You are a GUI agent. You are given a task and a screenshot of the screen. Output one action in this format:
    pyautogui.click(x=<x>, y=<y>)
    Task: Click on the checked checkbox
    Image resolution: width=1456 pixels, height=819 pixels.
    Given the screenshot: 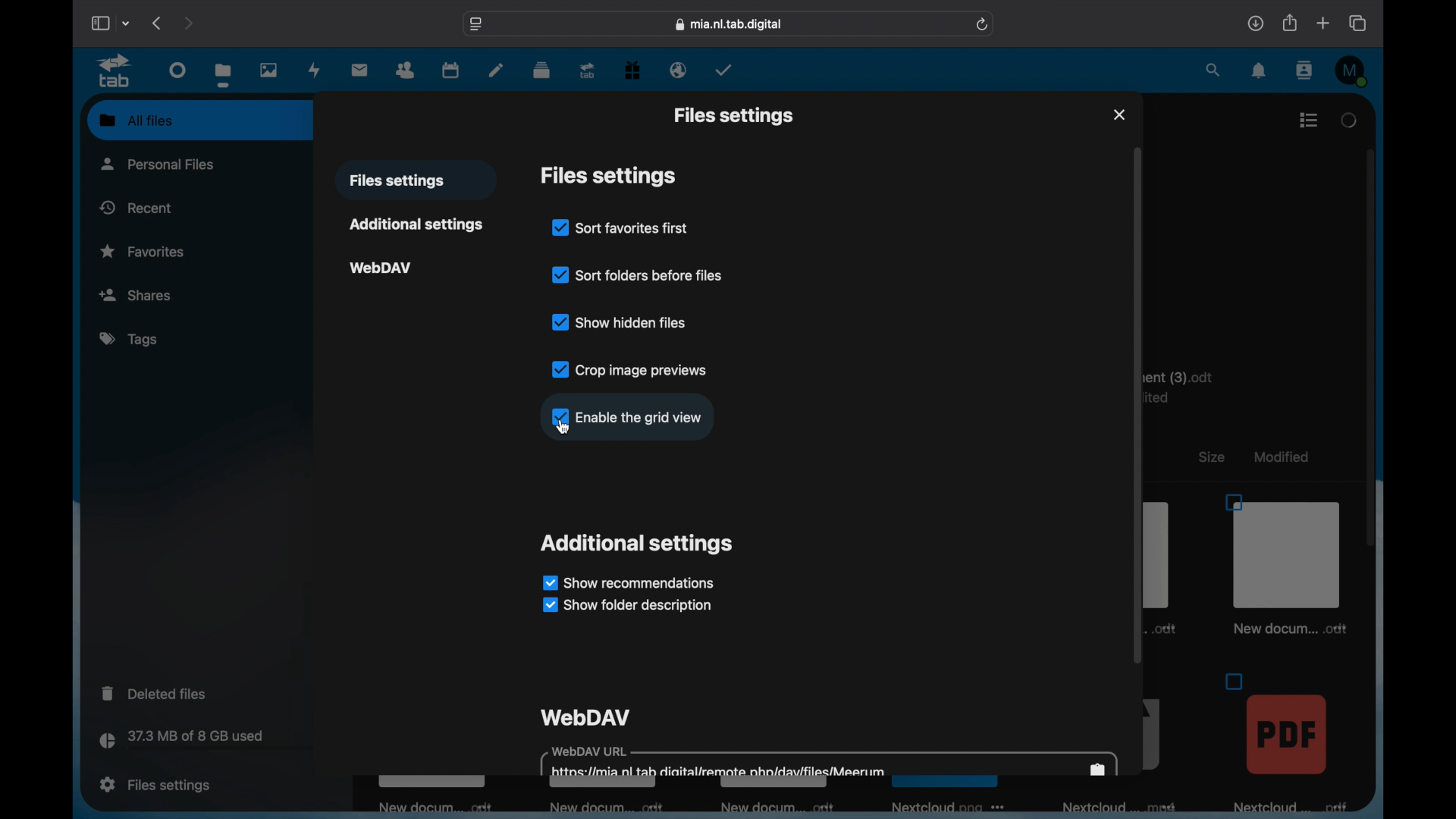 What is the action you would take?
    pyautogui.click(x=559, y=416)
    